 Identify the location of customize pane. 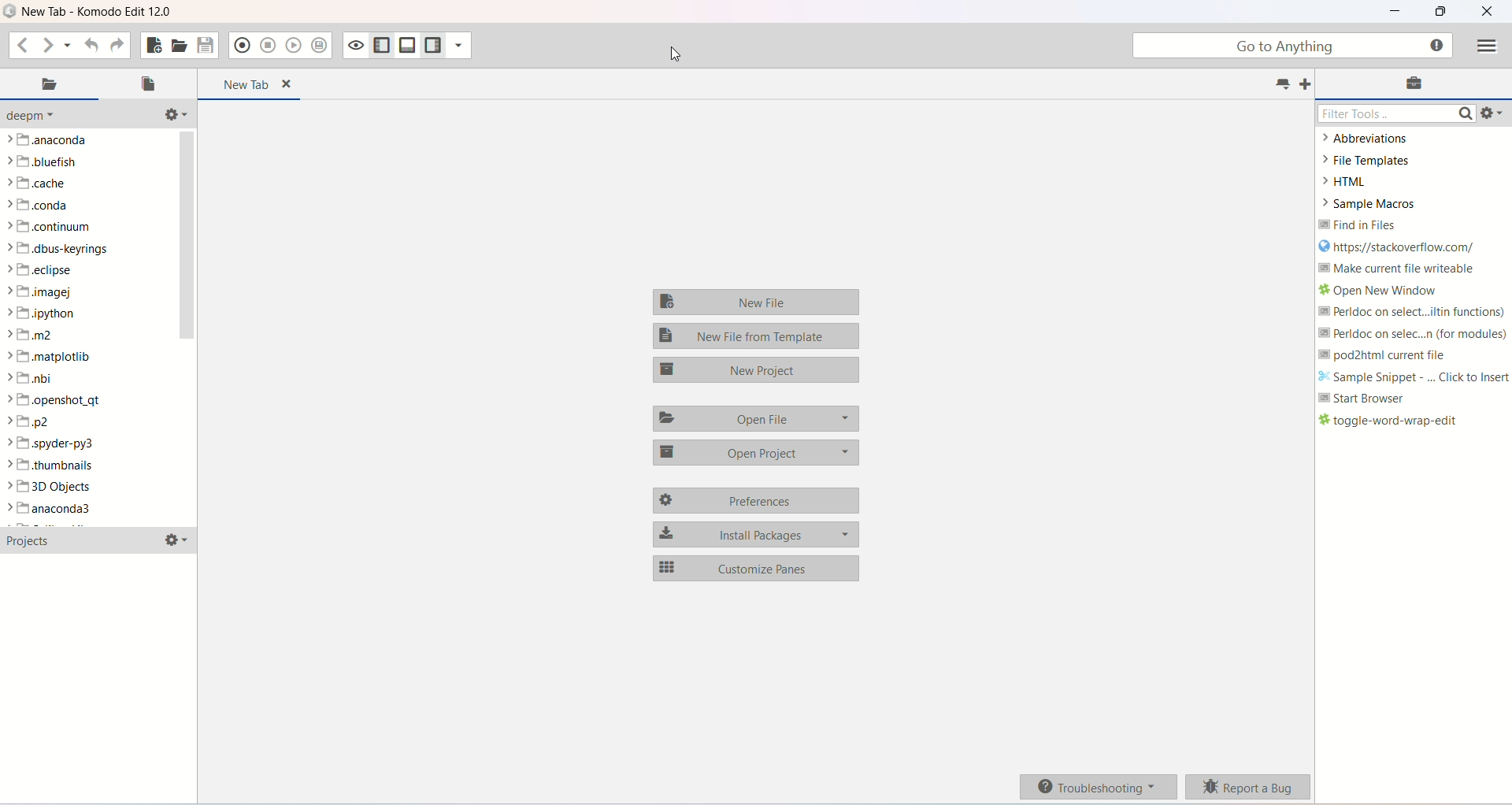
(760, 567).